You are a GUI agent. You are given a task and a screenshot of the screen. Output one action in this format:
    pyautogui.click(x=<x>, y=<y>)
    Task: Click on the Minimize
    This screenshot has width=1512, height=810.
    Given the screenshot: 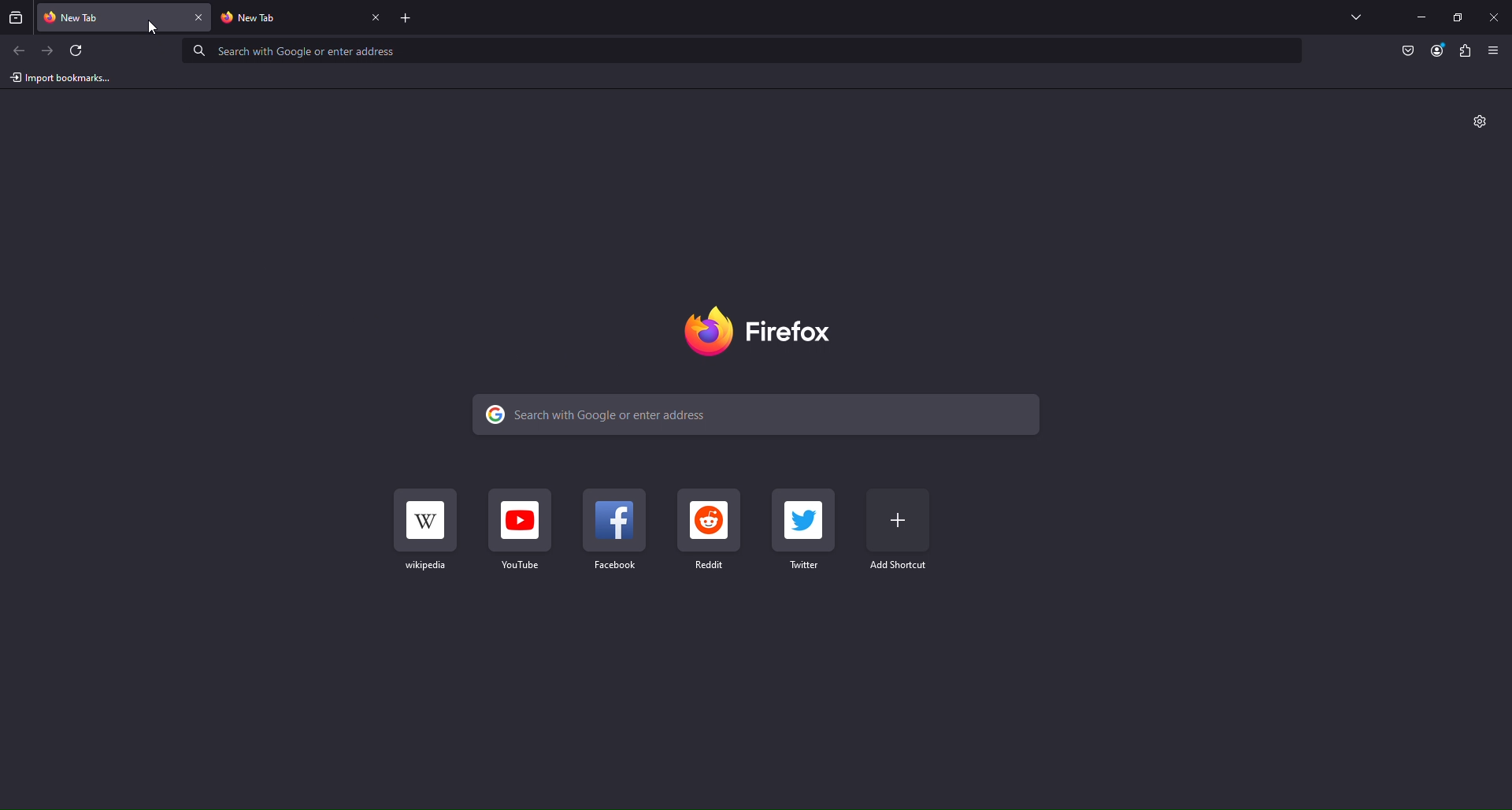 What is the action you would take?
    pyautogui.click(x=1421, y=17)
    